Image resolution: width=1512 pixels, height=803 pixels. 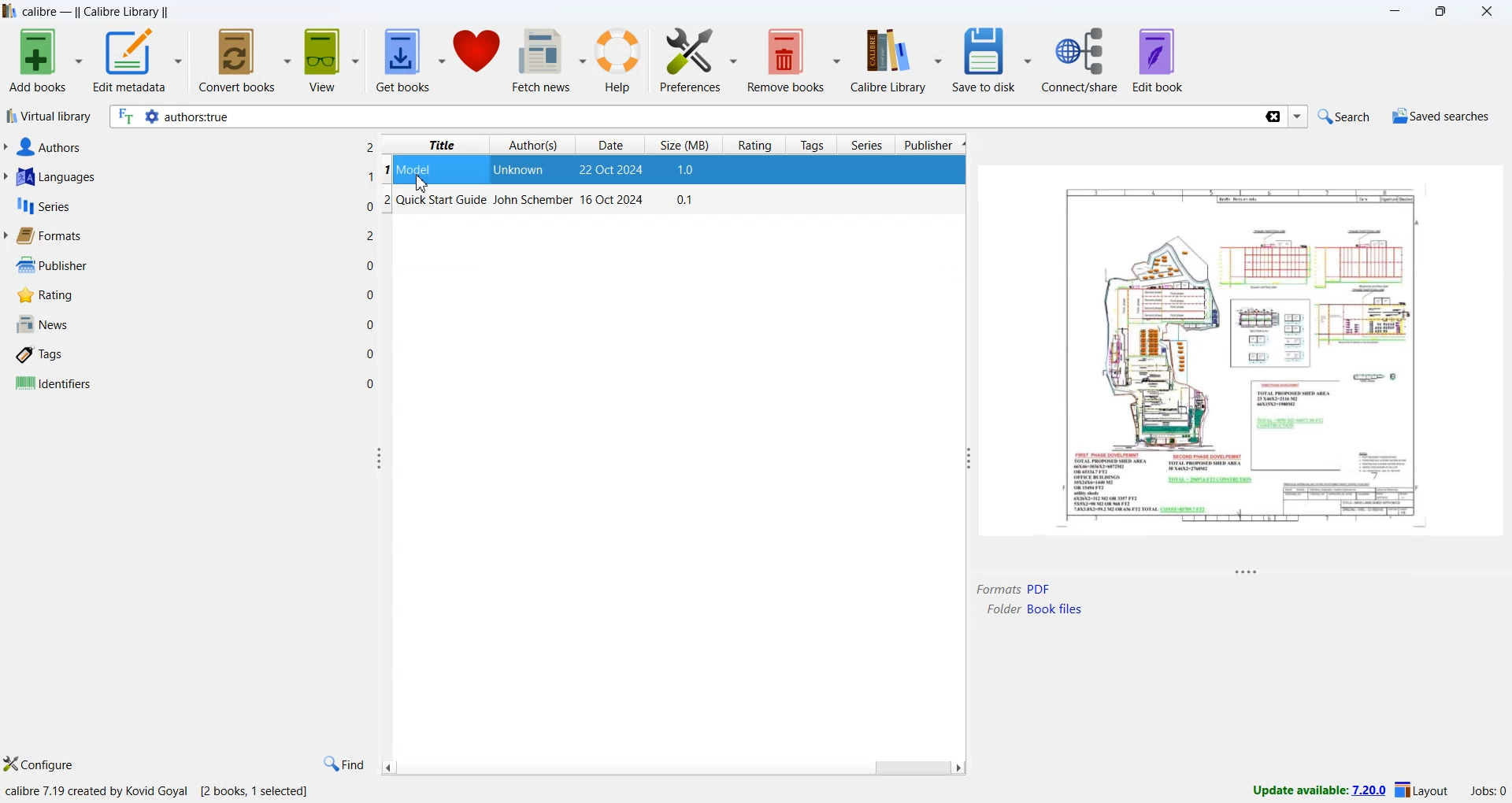 I want to click on Dropdown, so click(x=1299, y=117).